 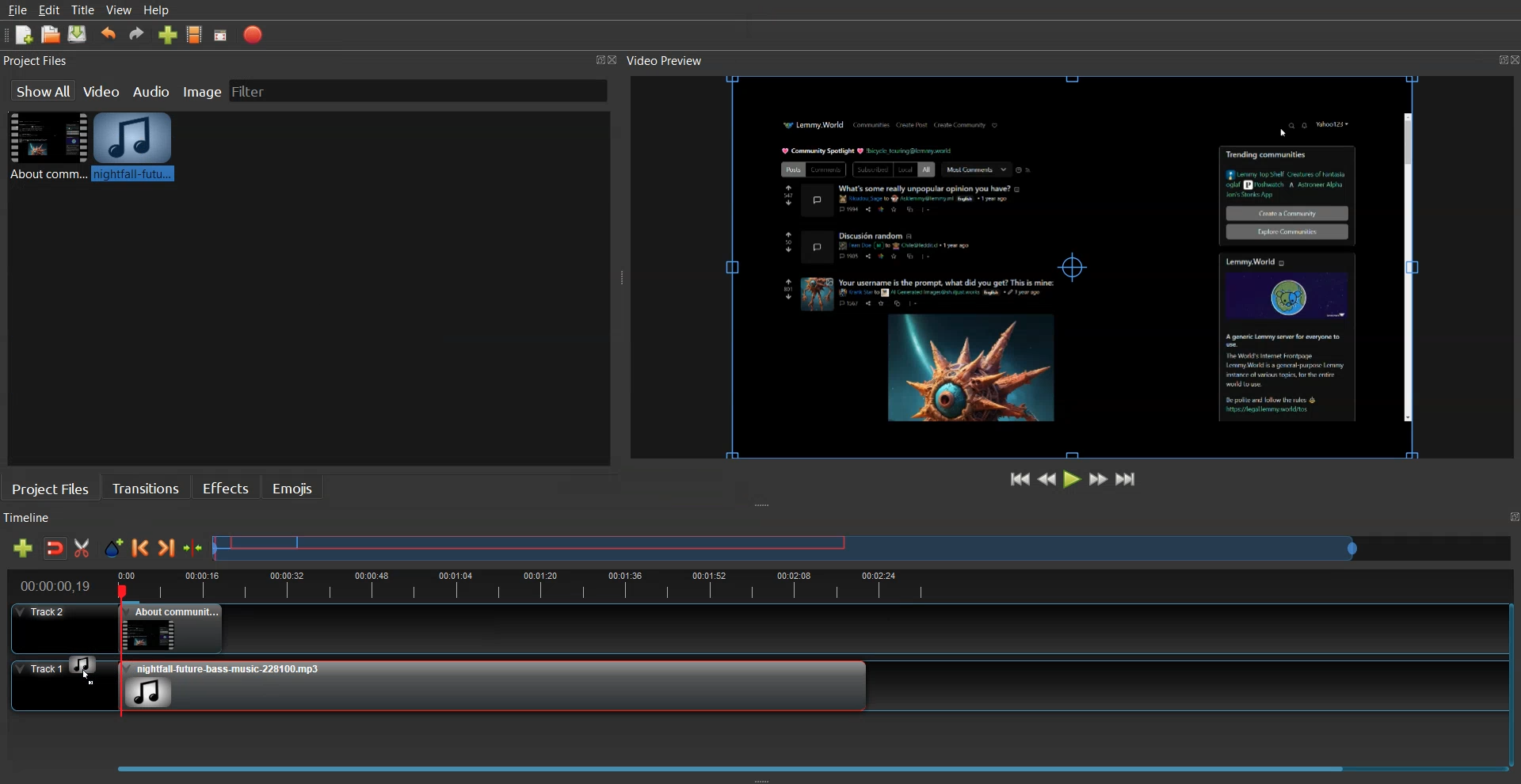 I want to click on Slider, so click(x=863, y=547).